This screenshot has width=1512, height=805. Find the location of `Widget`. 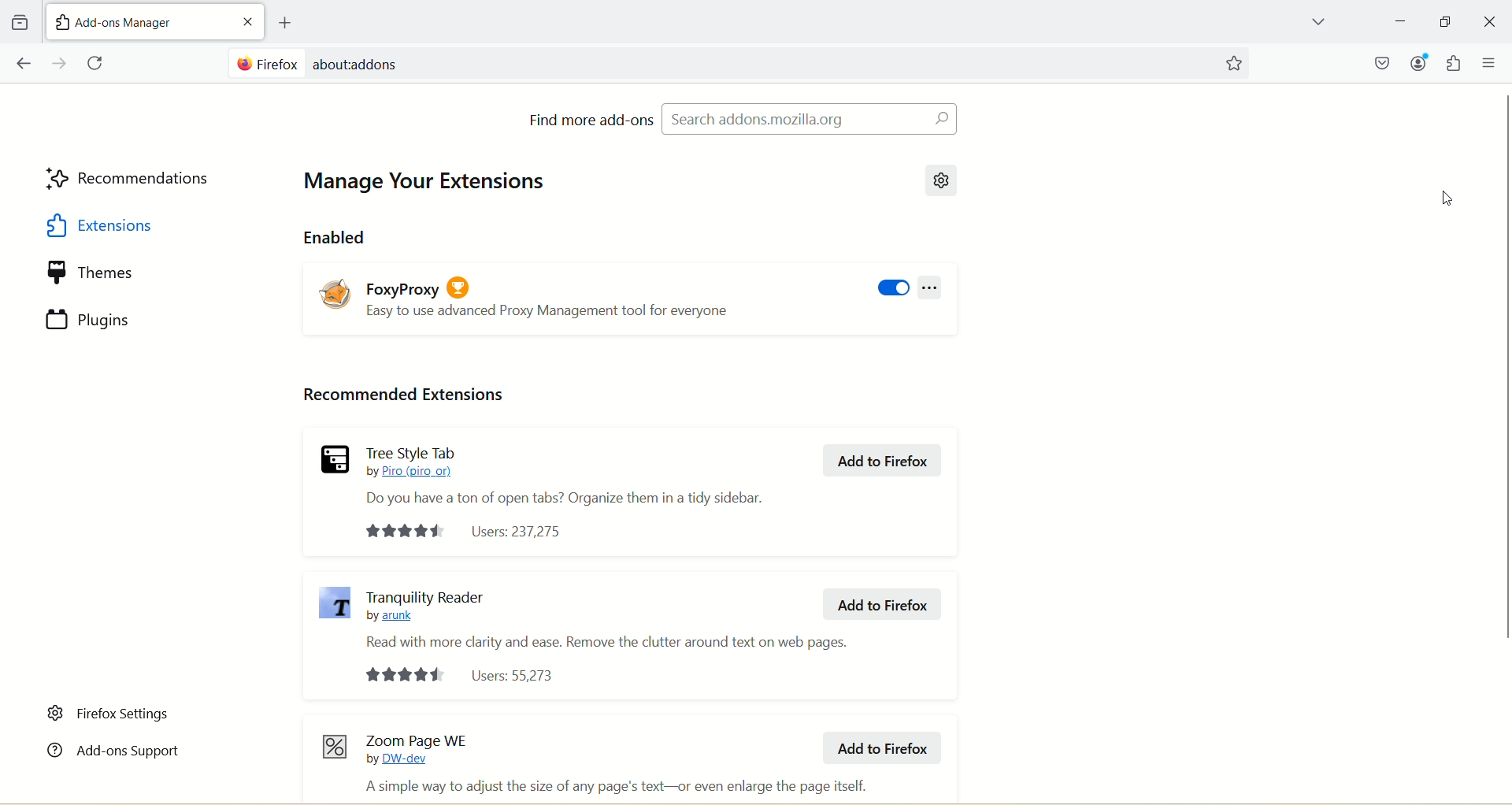

Widget is located at coordinates (1453, 63).